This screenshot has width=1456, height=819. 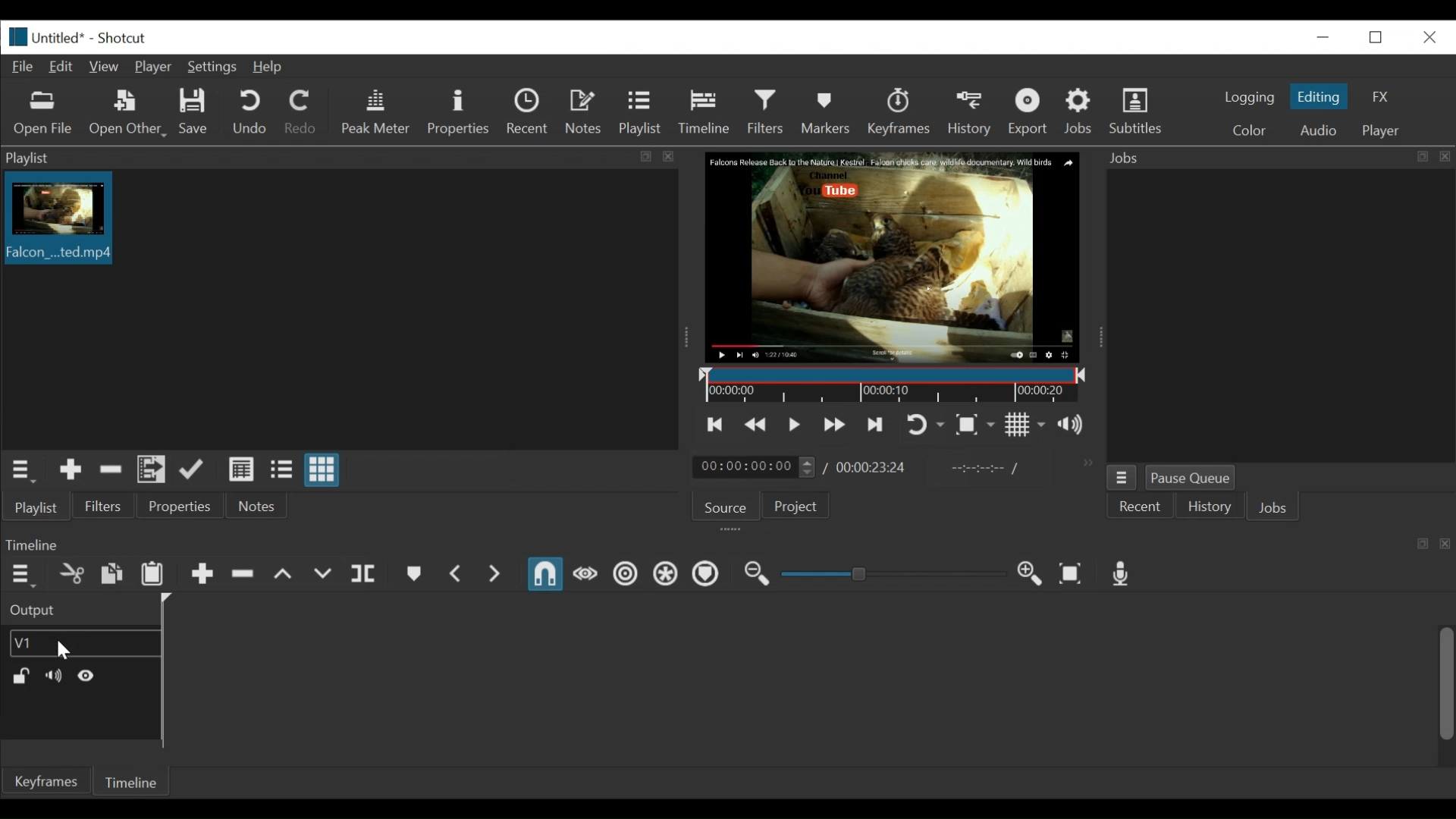 I want to click on Keyframe, so click(x=899, y=113).